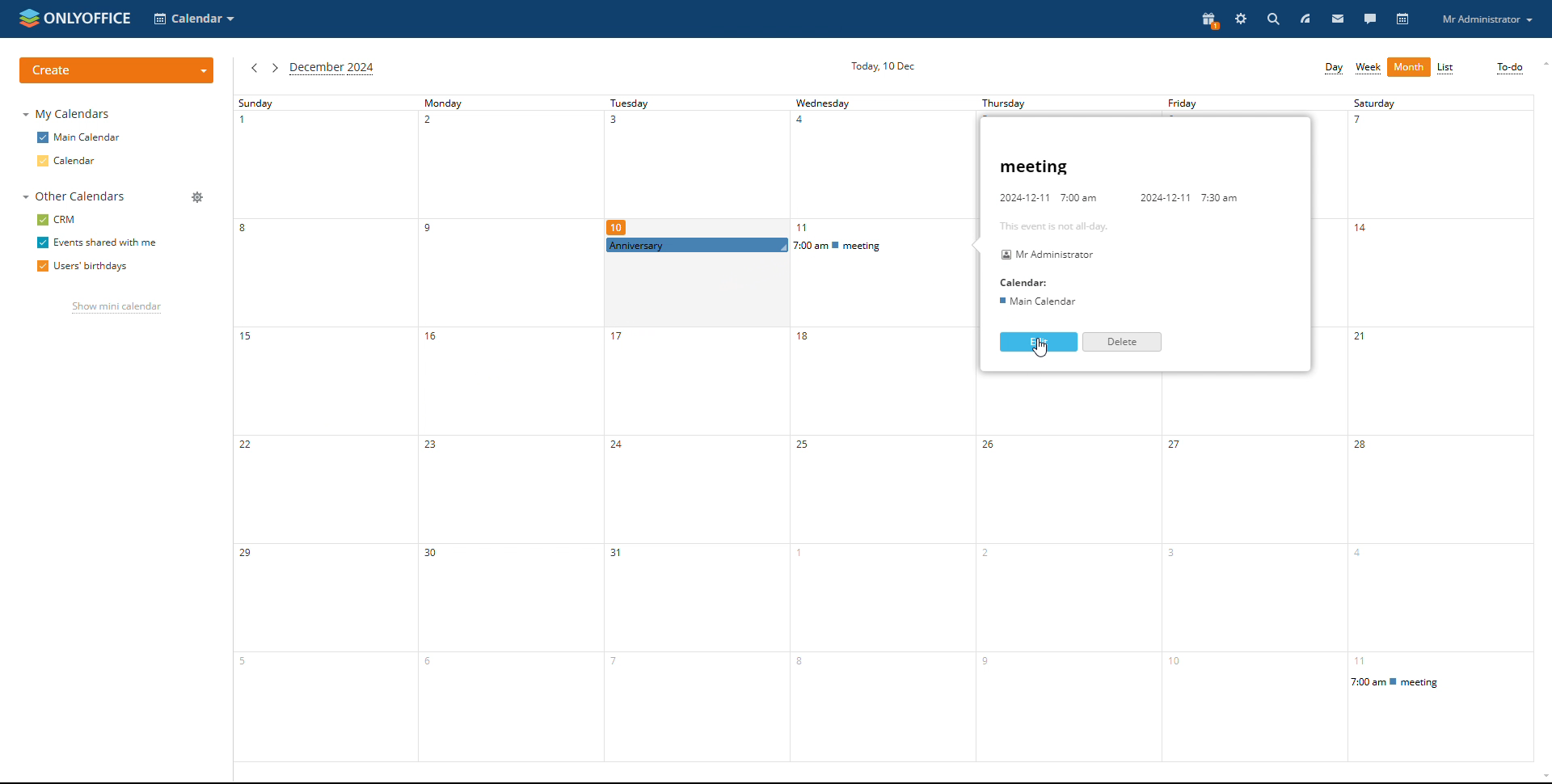 This screenshot has width=1552, height=784. Describe the element at coordinates (195, 19) in the screenshot. I see `select application` at that location.